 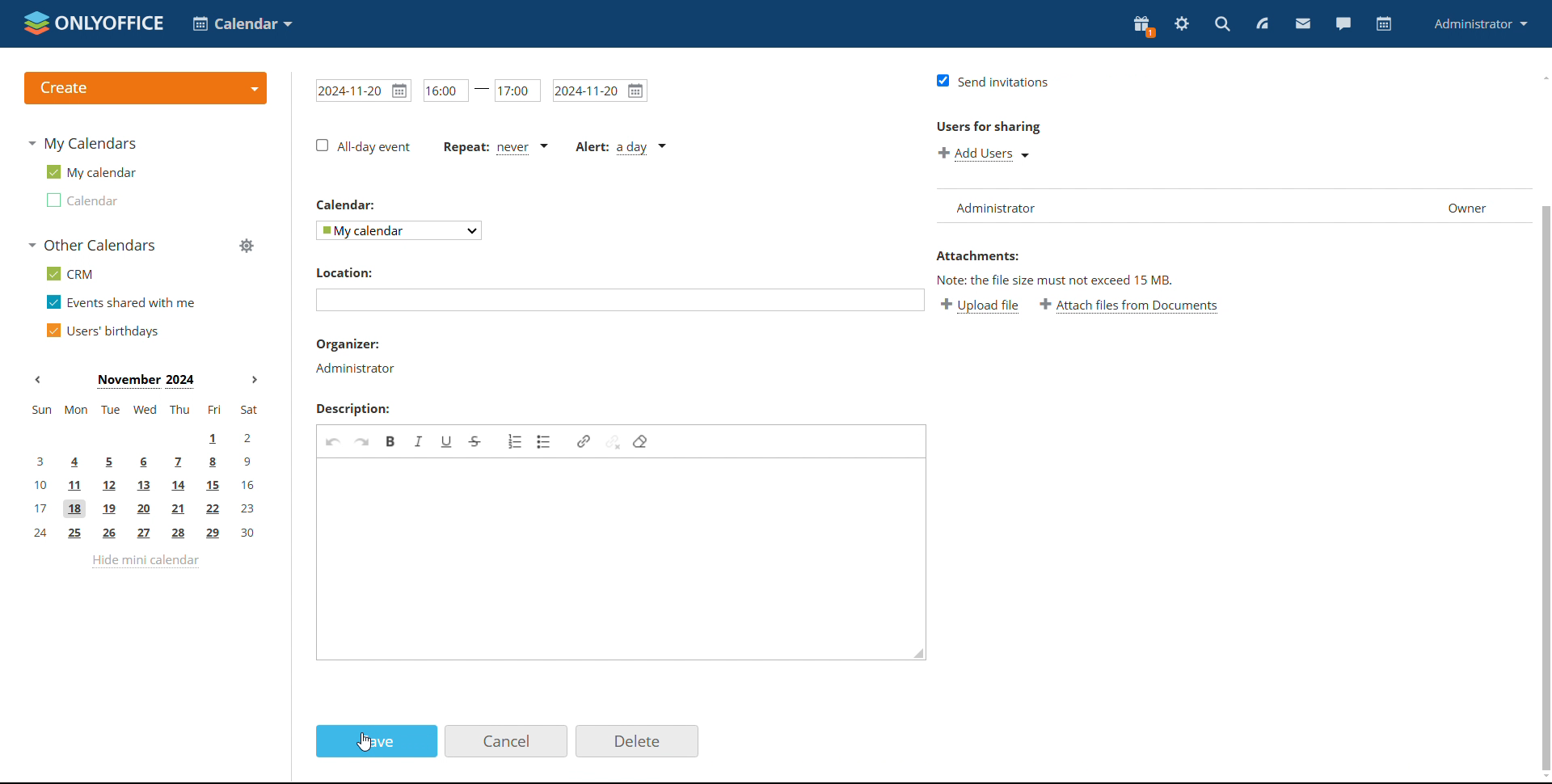 I want to click on save, so click(x=377, y=740).